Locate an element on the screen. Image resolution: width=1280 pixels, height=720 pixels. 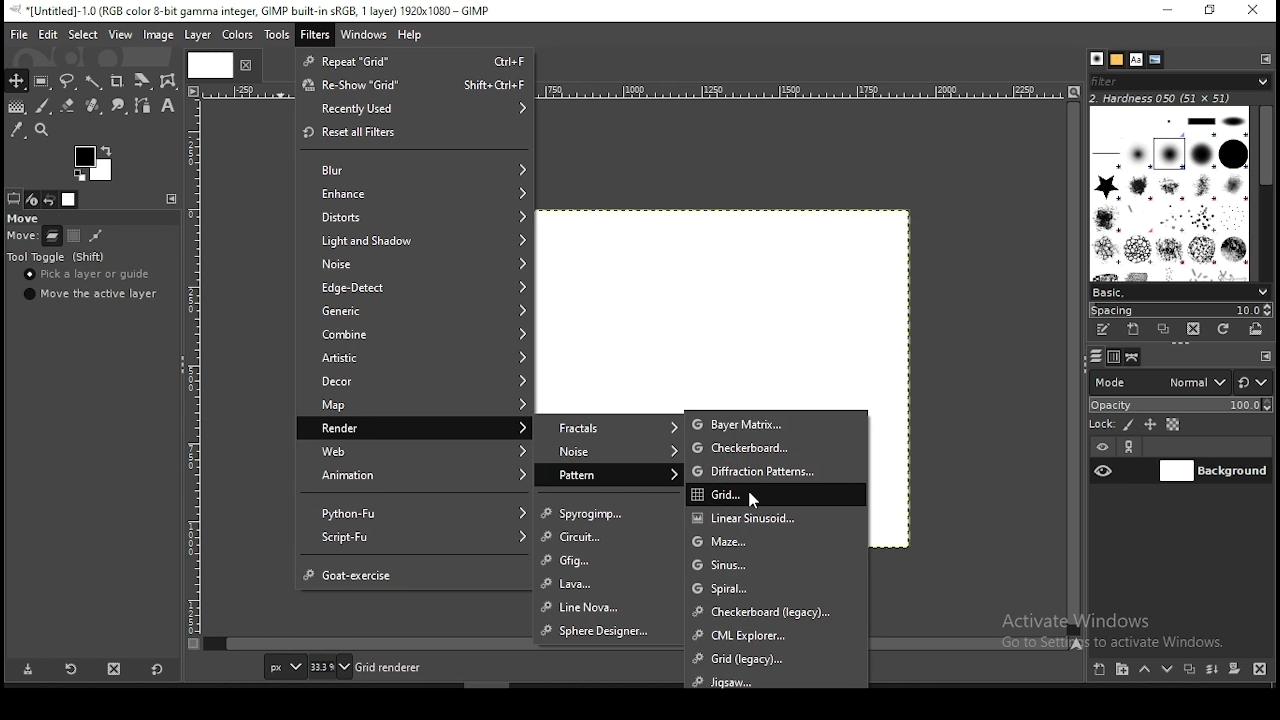
brush tool is located at coordinates (44, 106).